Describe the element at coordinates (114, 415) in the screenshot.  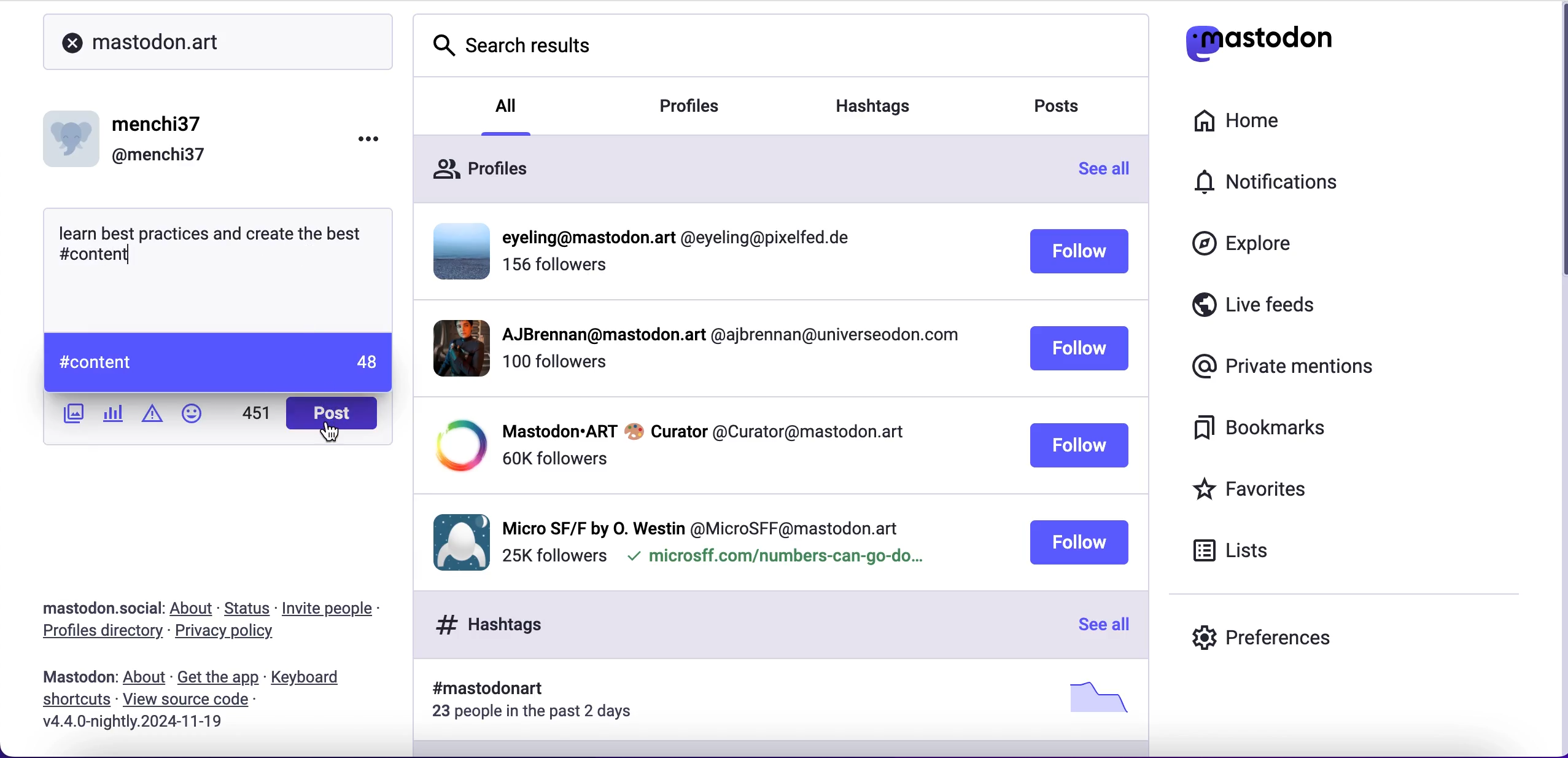
I see `add poll` at that location.